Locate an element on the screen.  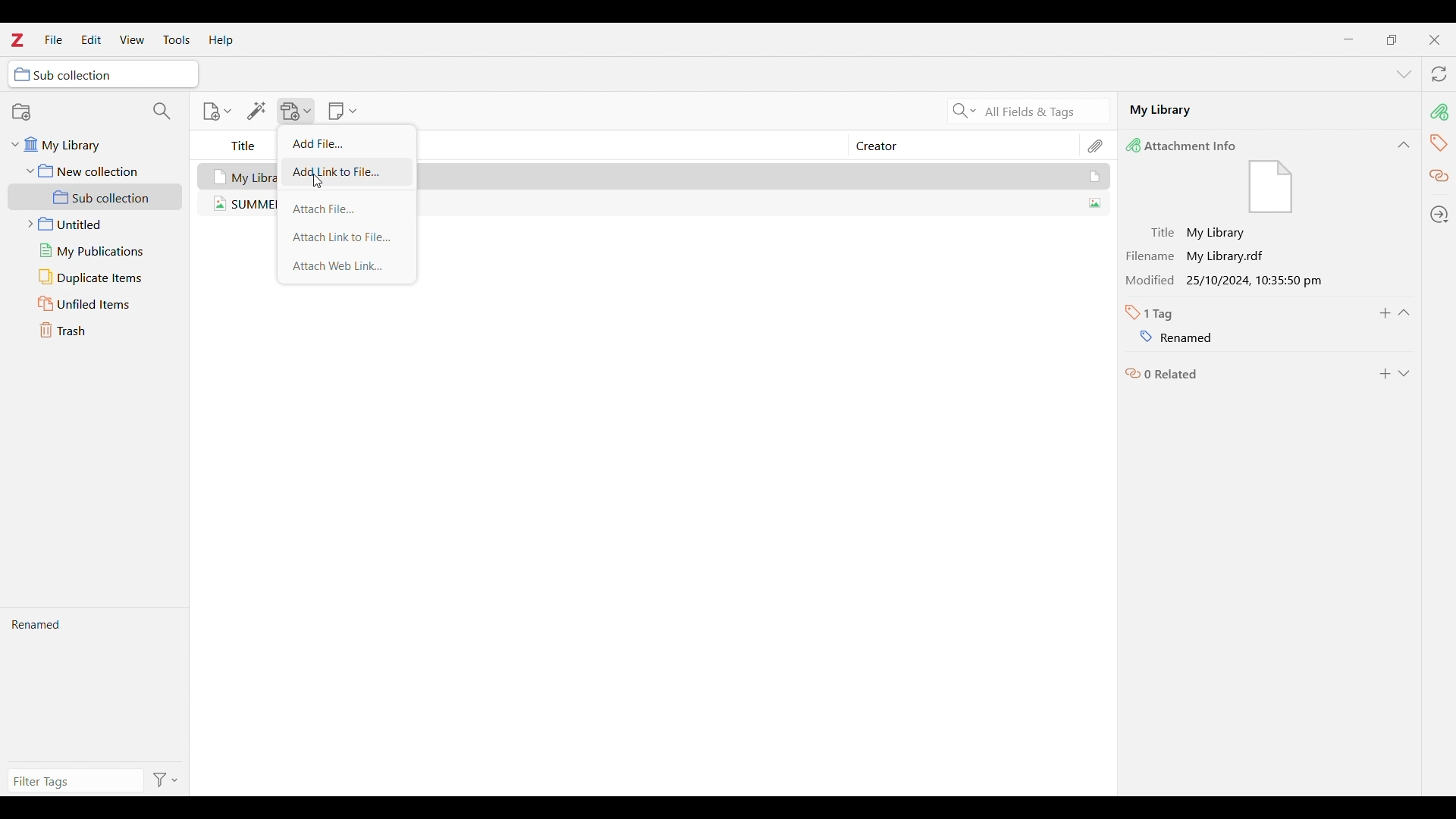
Related is located at coordinates (1161, 375).